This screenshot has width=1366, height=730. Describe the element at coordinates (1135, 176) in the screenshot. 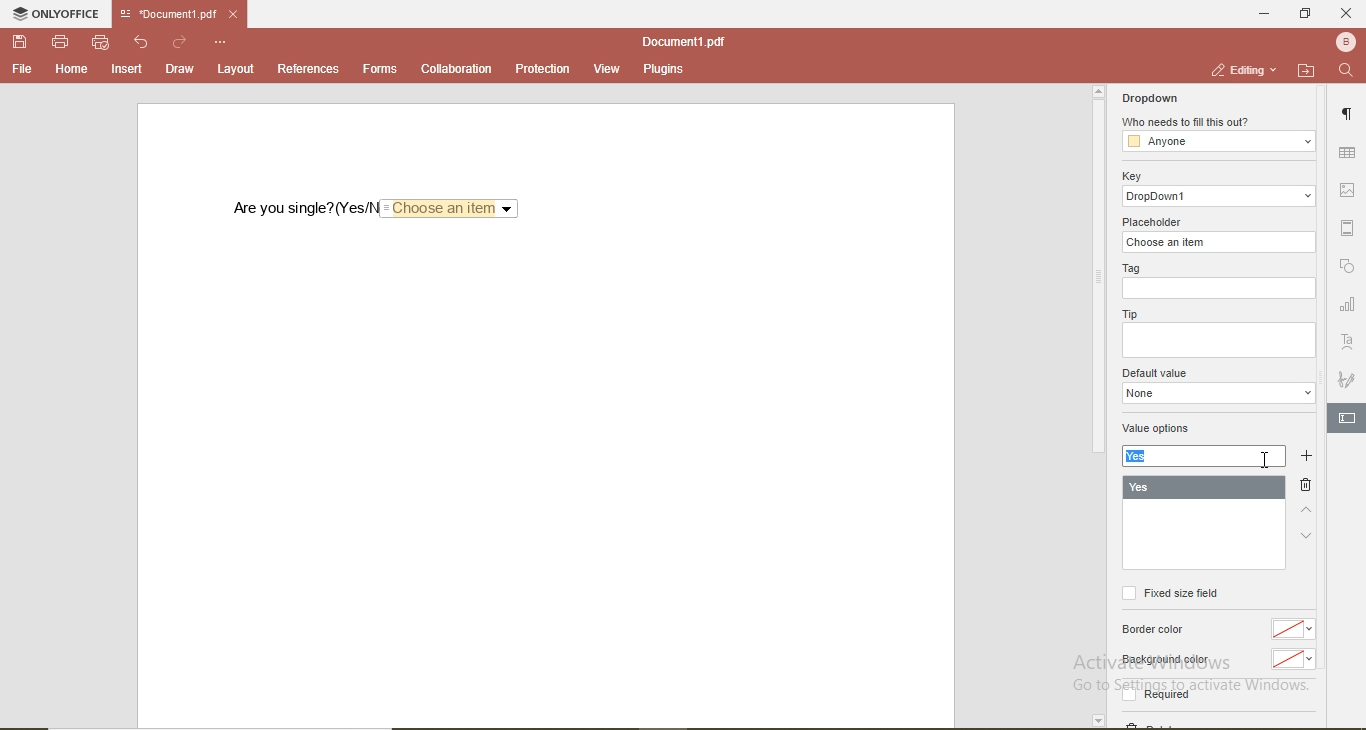

I see `key` at that location.